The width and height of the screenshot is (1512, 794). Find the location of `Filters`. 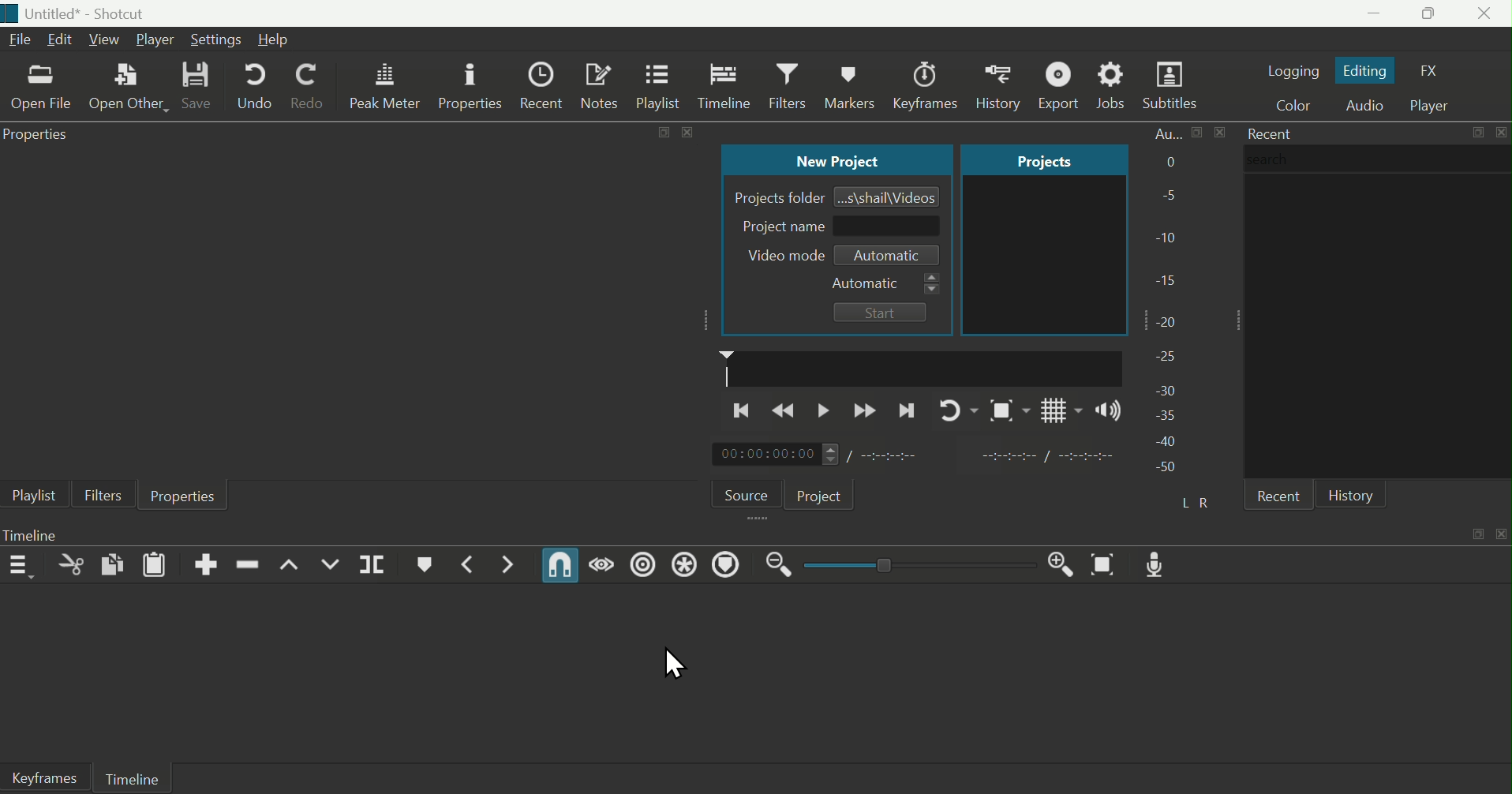

Filters is located at coordinates (102, 493).